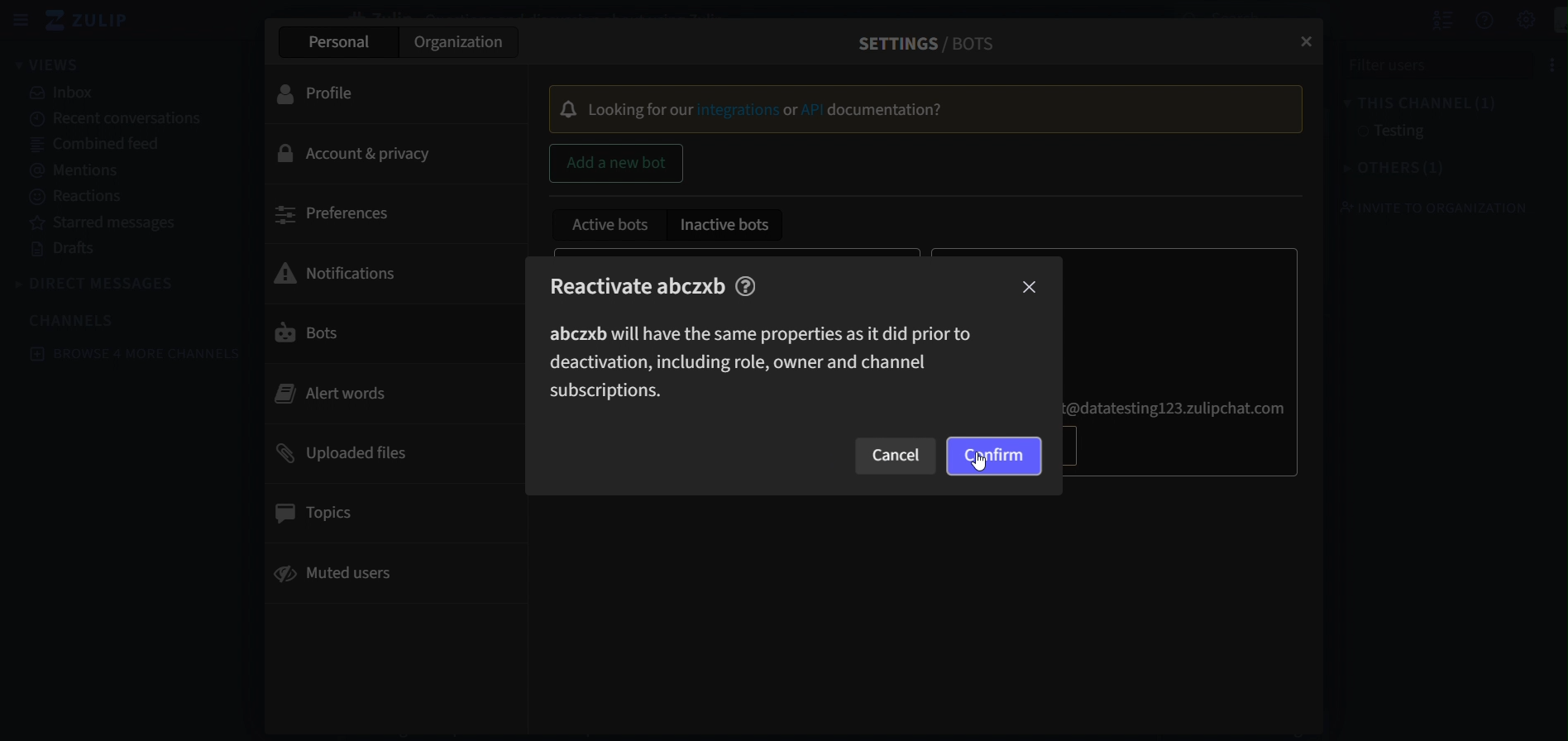 This screenshot has width=1568, height=741. What do you see at coordinates (52, 65) in the screenshot?
I see `views` at bounding box center [52, 65].